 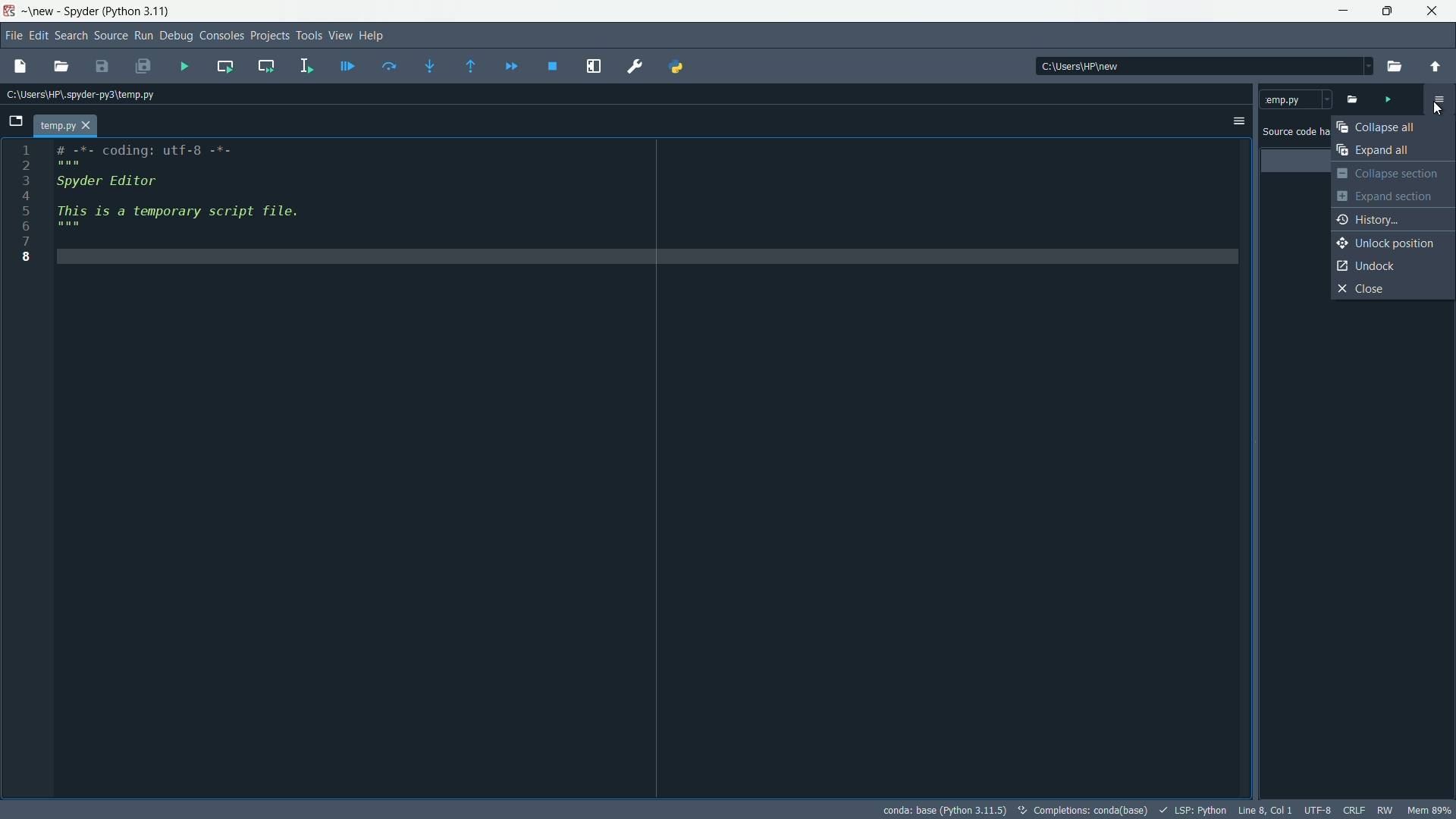 I want to click on consoles menu, so click(x=221, y=36).